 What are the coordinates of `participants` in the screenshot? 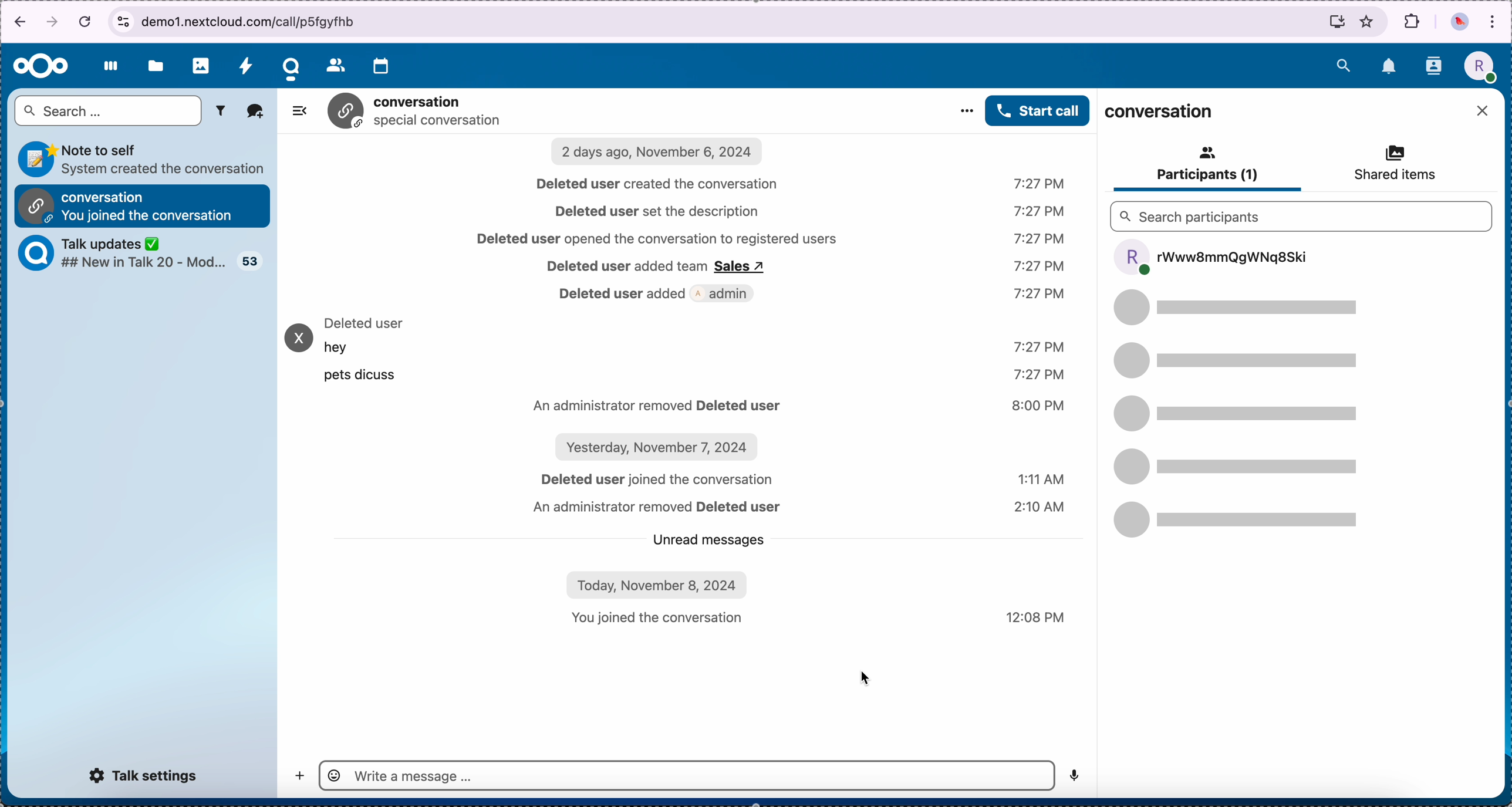 It's located at (1210, 258).